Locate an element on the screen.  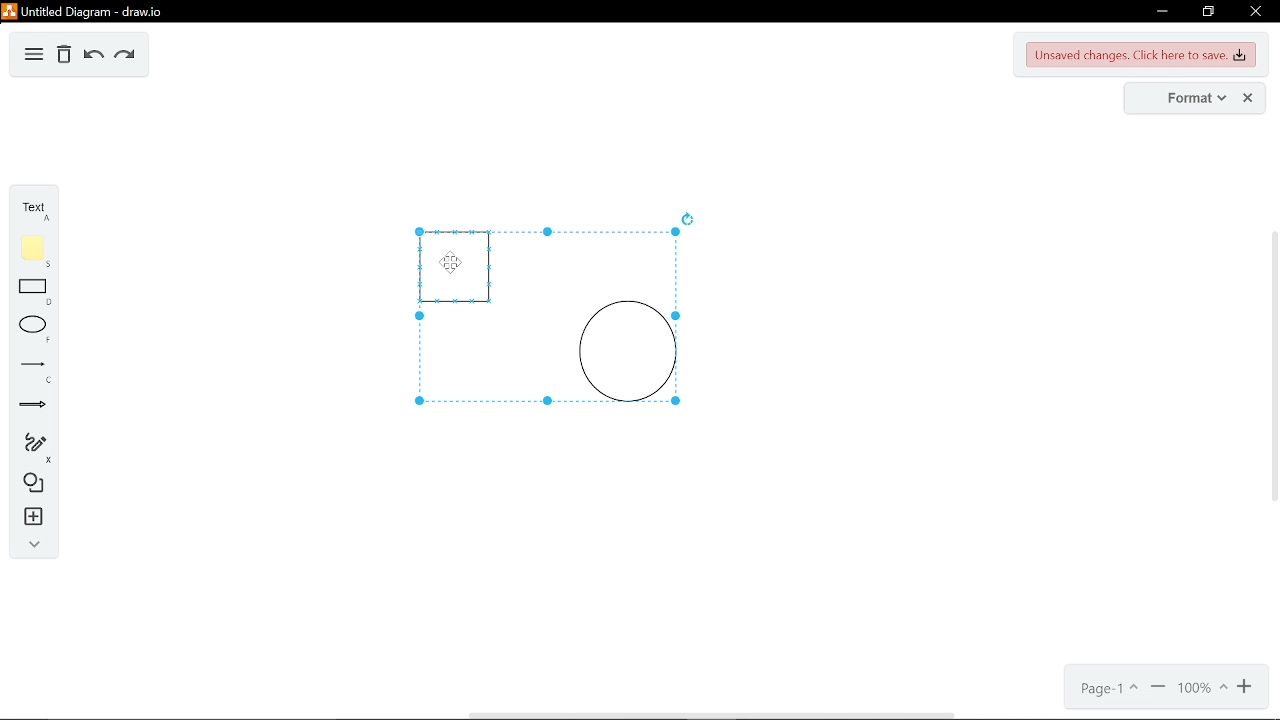
Cursor is located at coordinates (455, 265).